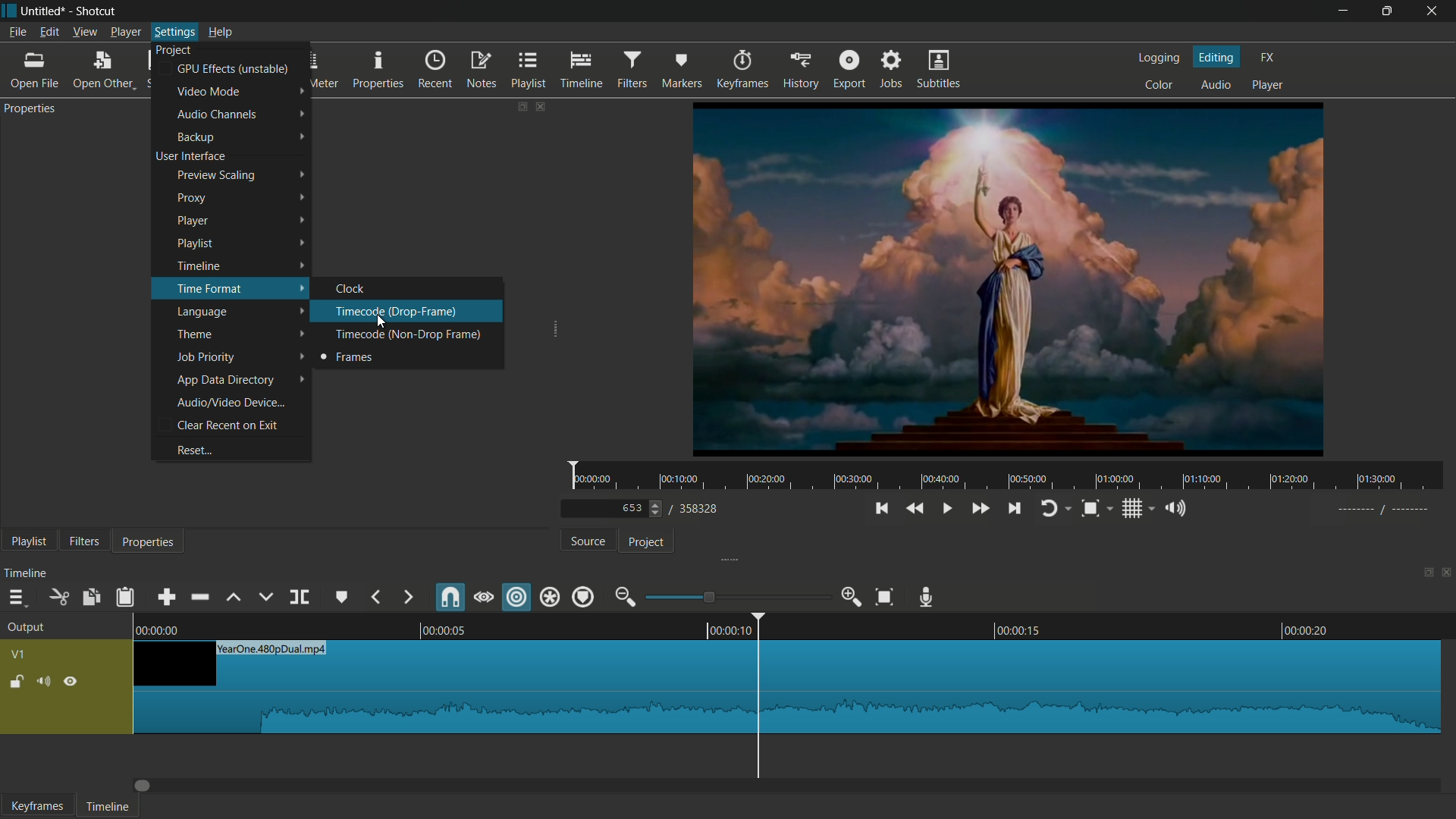 This screenshot has height=819, width=1456. What do you see at coordinates (946, 508) in the screenshot?
I see `play or pause` at bounding box center [946, 508].